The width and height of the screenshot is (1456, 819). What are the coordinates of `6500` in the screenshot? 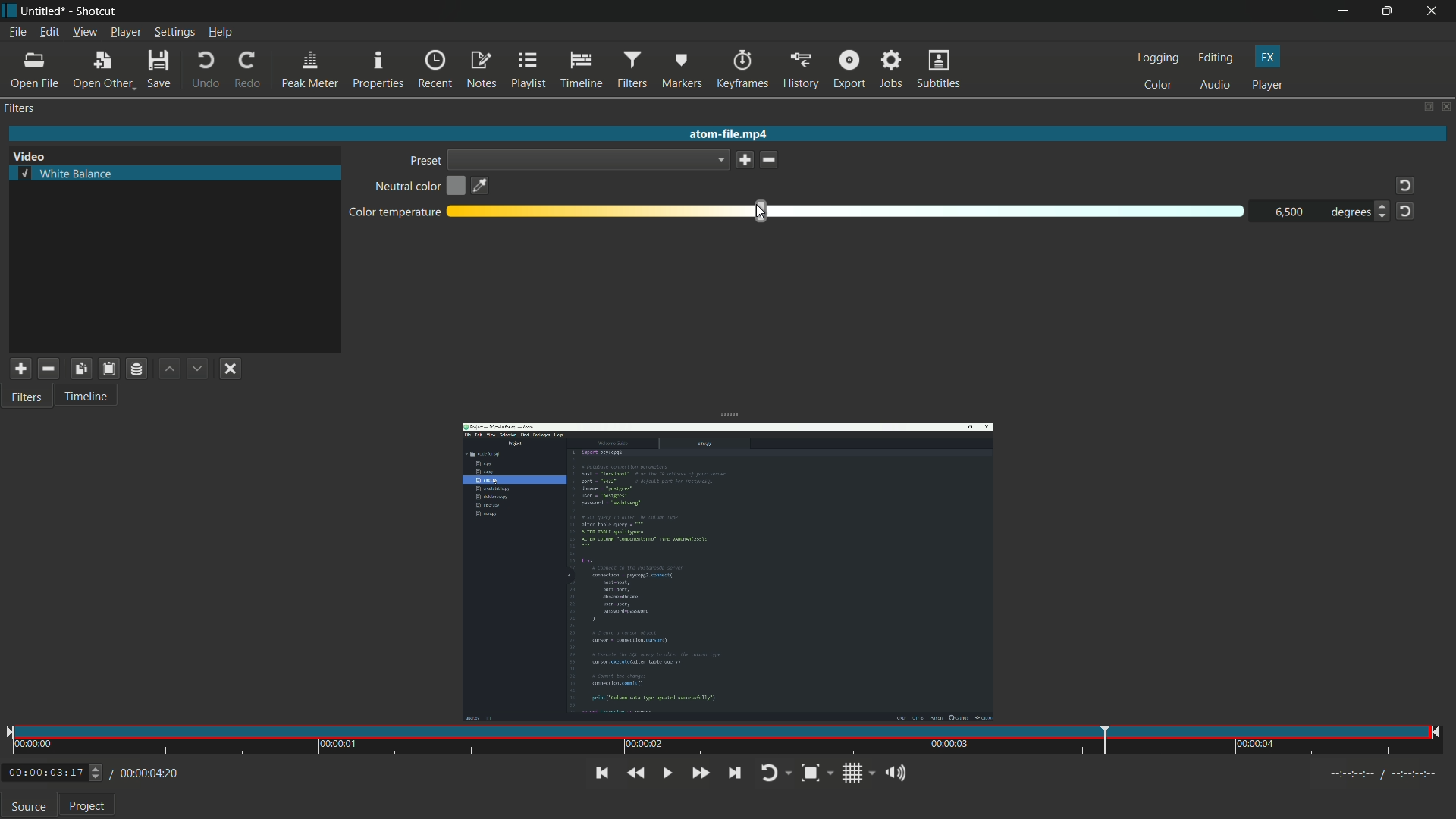 It's located at (1289, 212).